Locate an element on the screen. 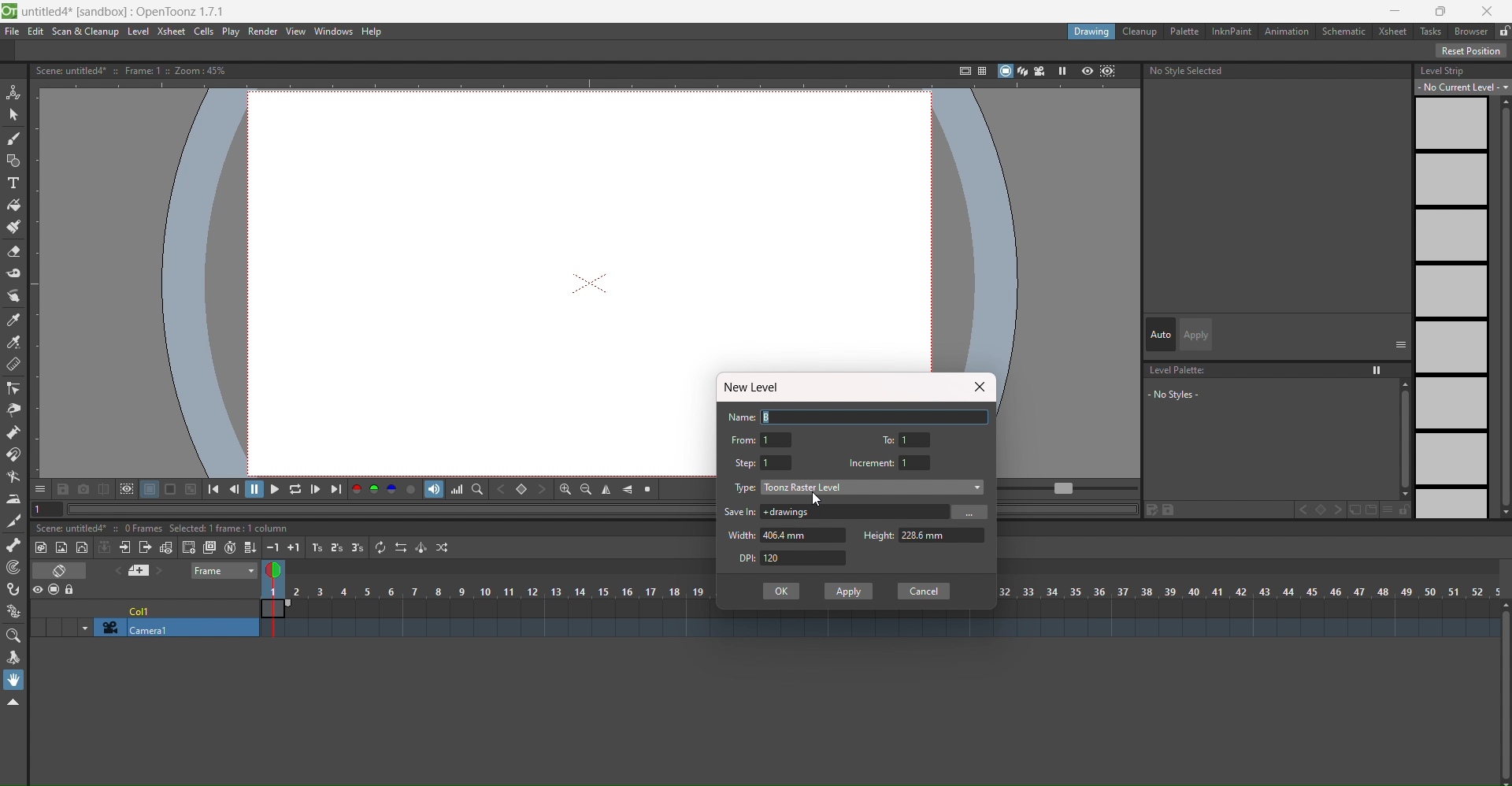 The height and width of the screenshot is (786, 1512). file and folder is located at coordinates (1363, 510).